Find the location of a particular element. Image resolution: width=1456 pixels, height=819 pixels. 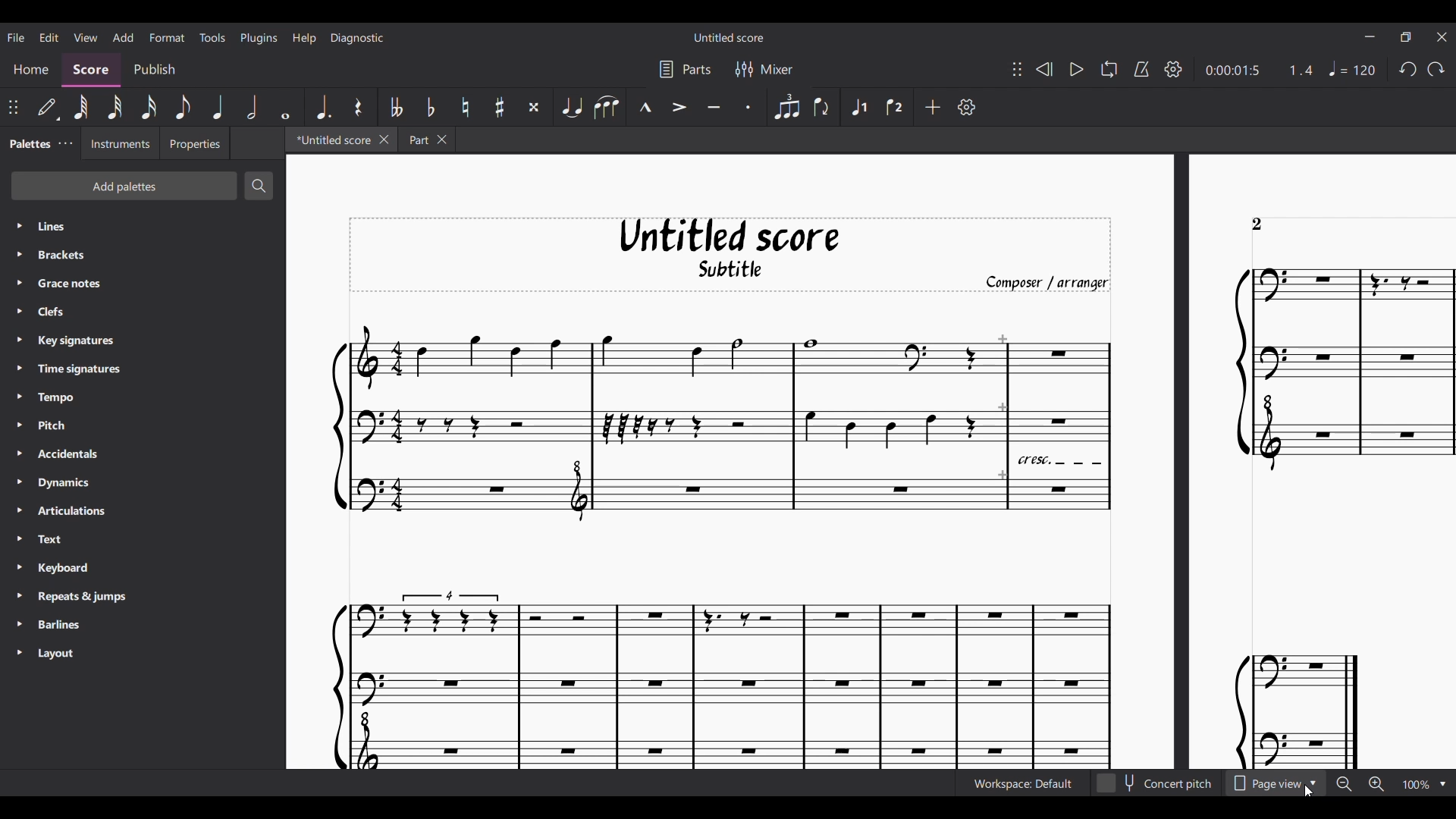

Redo is located at coordinates (1436, 70).